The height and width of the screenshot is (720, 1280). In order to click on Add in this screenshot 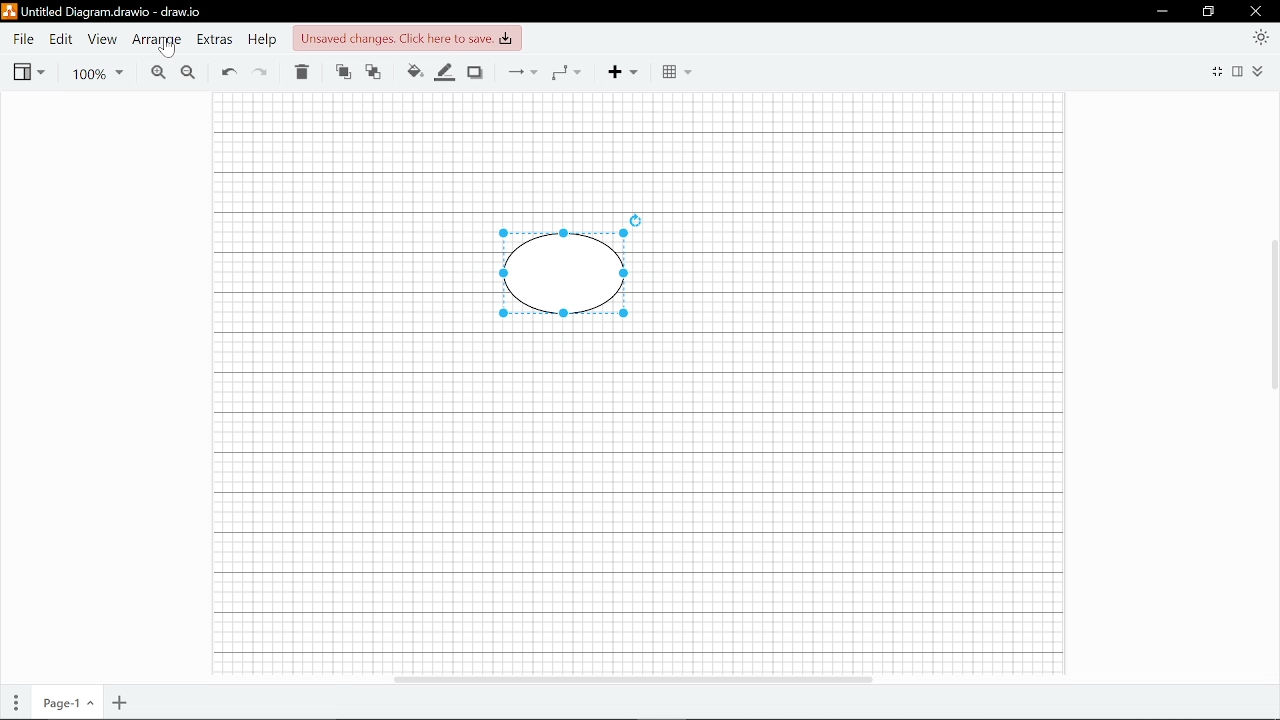, I will do `click(620, 72)`.